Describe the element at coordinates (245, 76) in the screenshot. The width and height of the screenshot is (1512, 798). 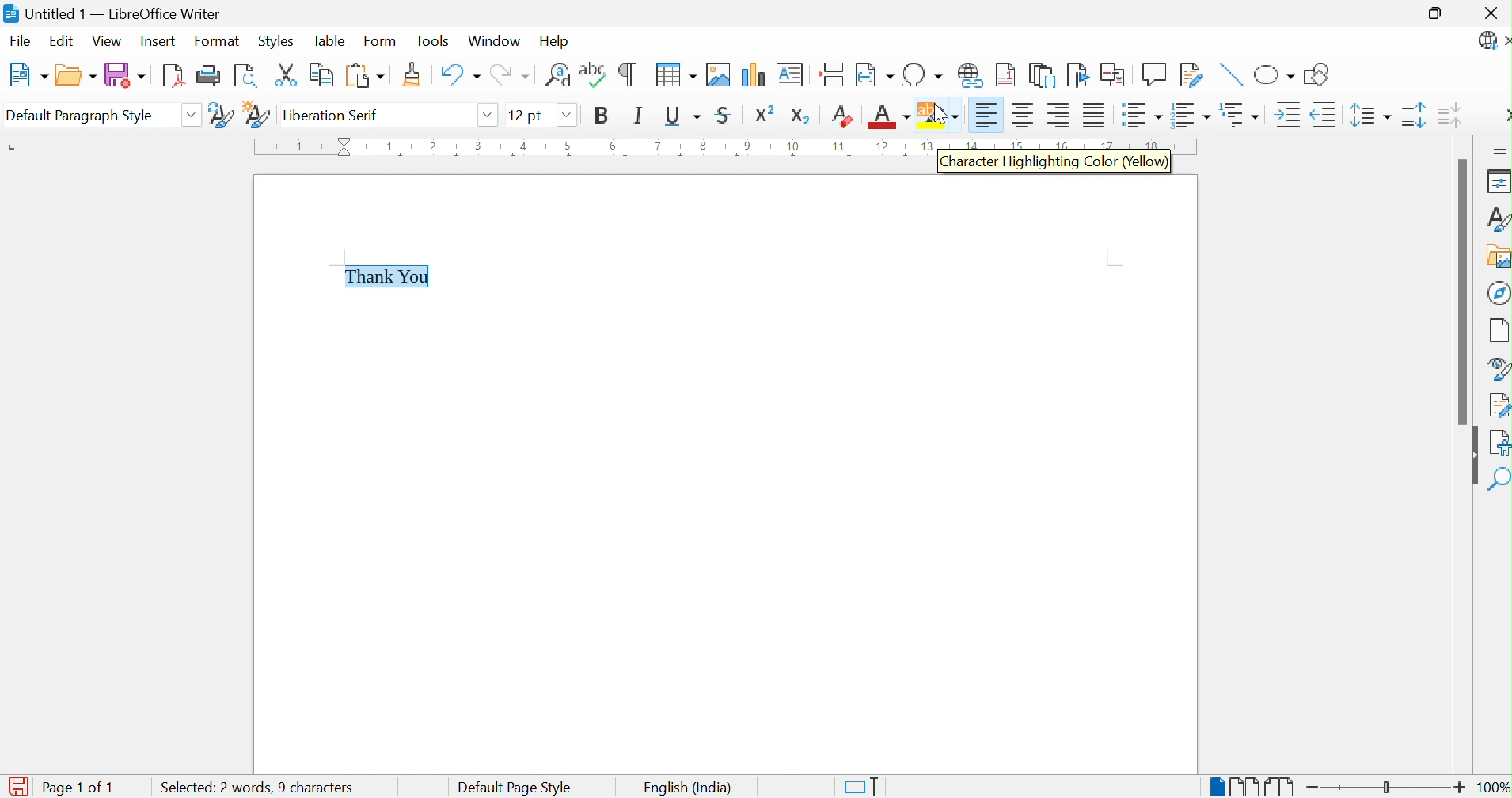
I see `Toggle Print Preview` at that location.